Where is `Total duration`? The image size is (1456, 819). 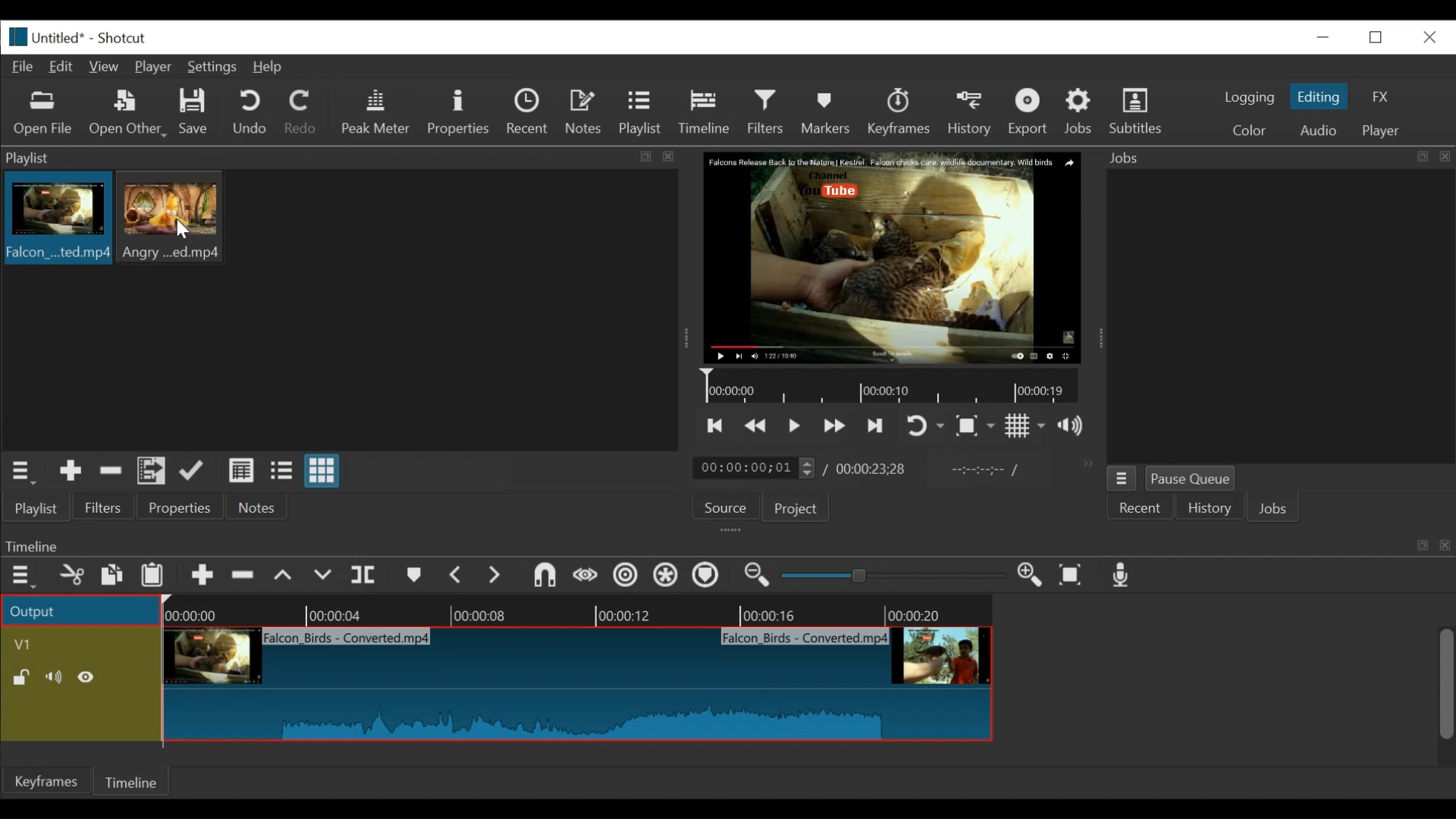 Total duration is located at coordinates (876, 469).